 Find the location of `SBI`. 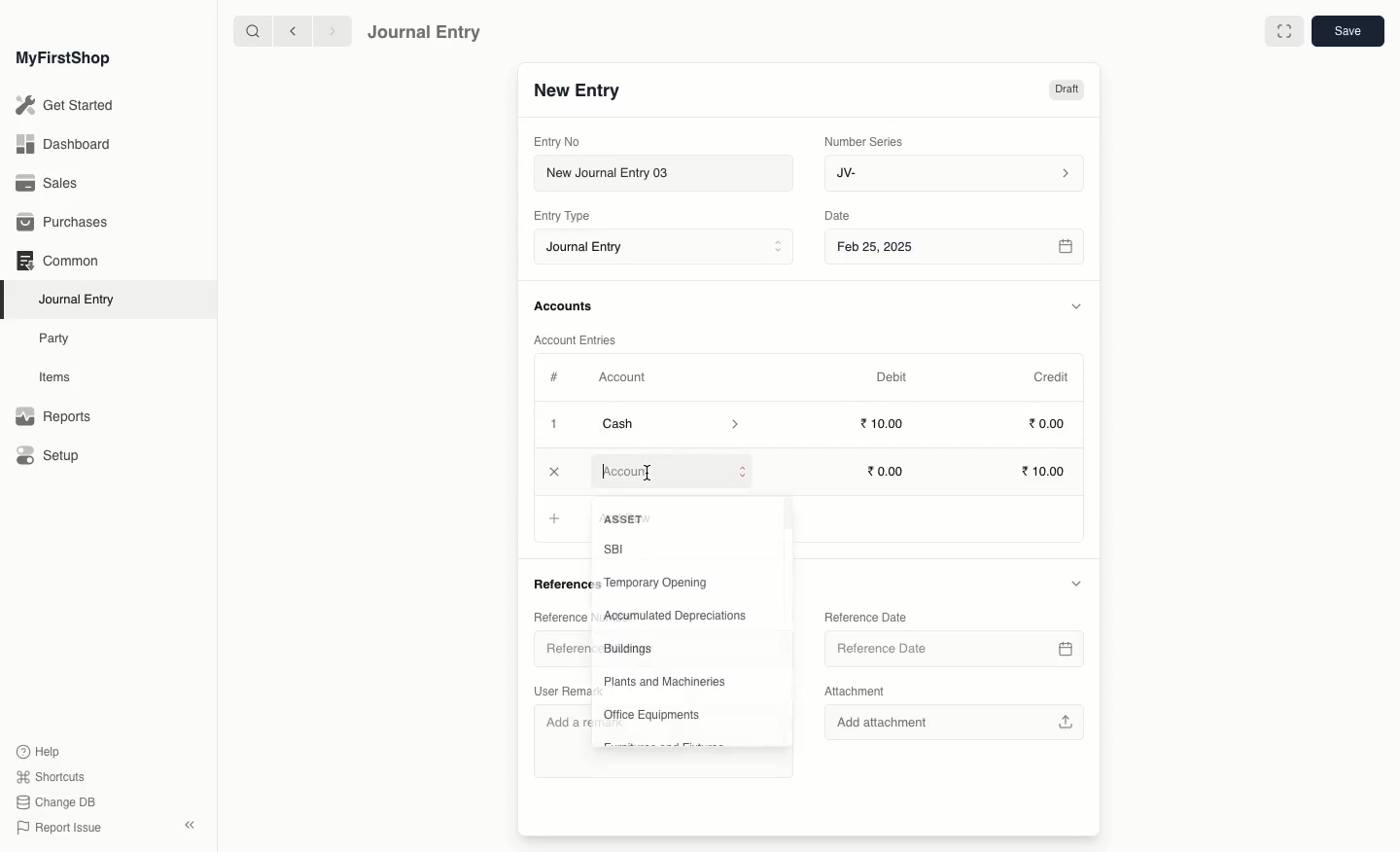

SBI is located at coordinates (615, 548).